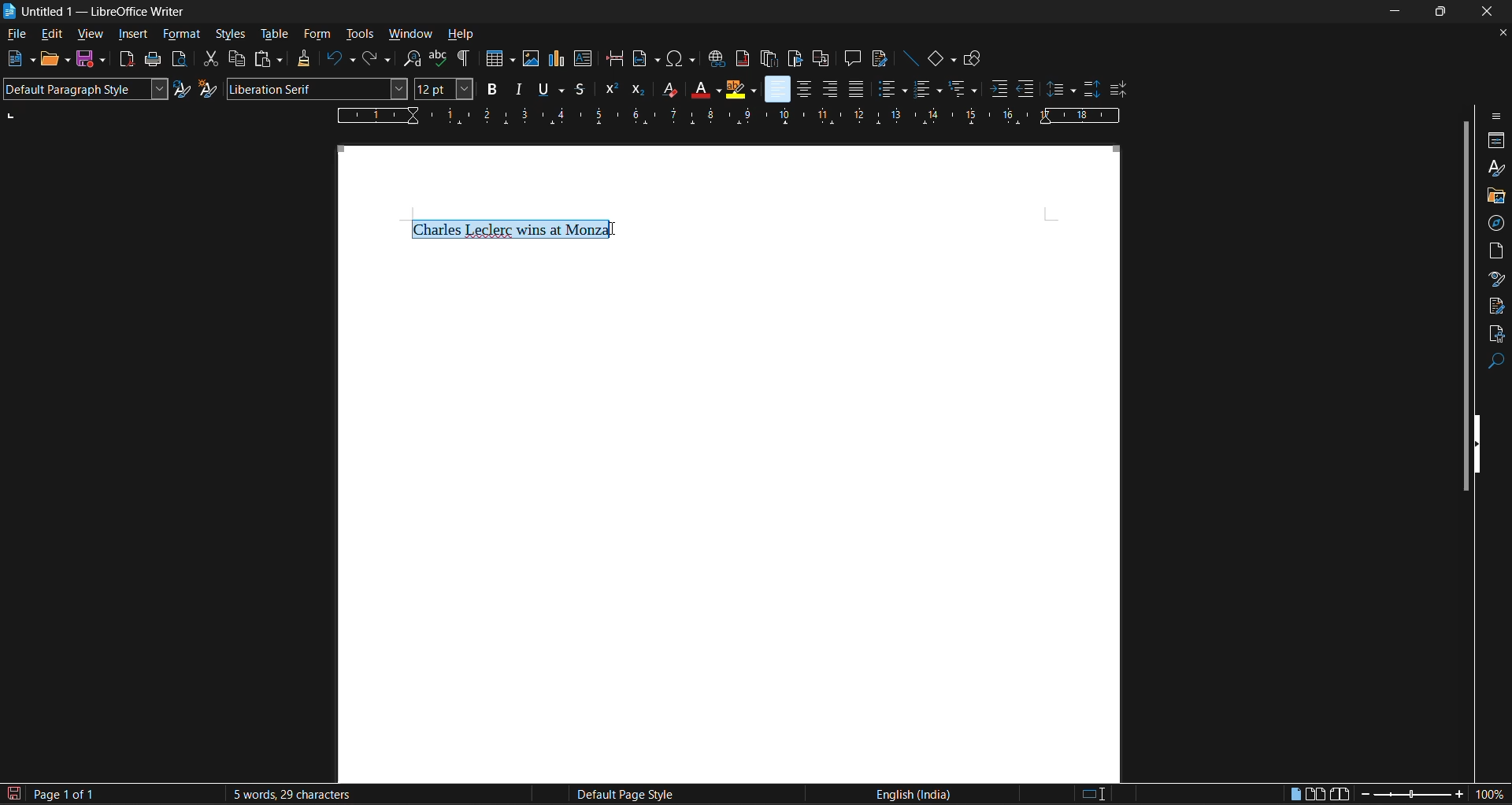 The height and width of the screenshot is (805, 1512). Describe the element at coordinates (54, 61) in the screenshot. I see `open` at that location.